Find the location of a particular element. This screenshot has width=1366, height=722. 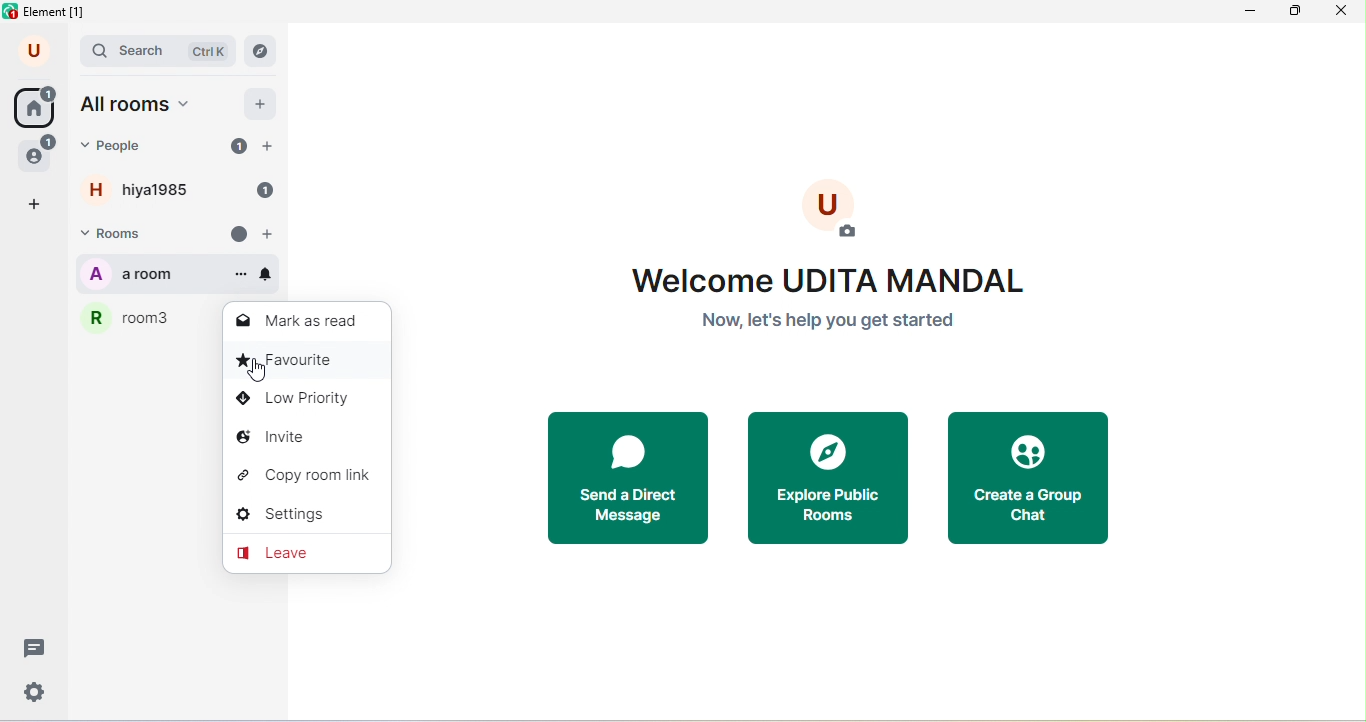

invite is located at coordinates (308, 438).